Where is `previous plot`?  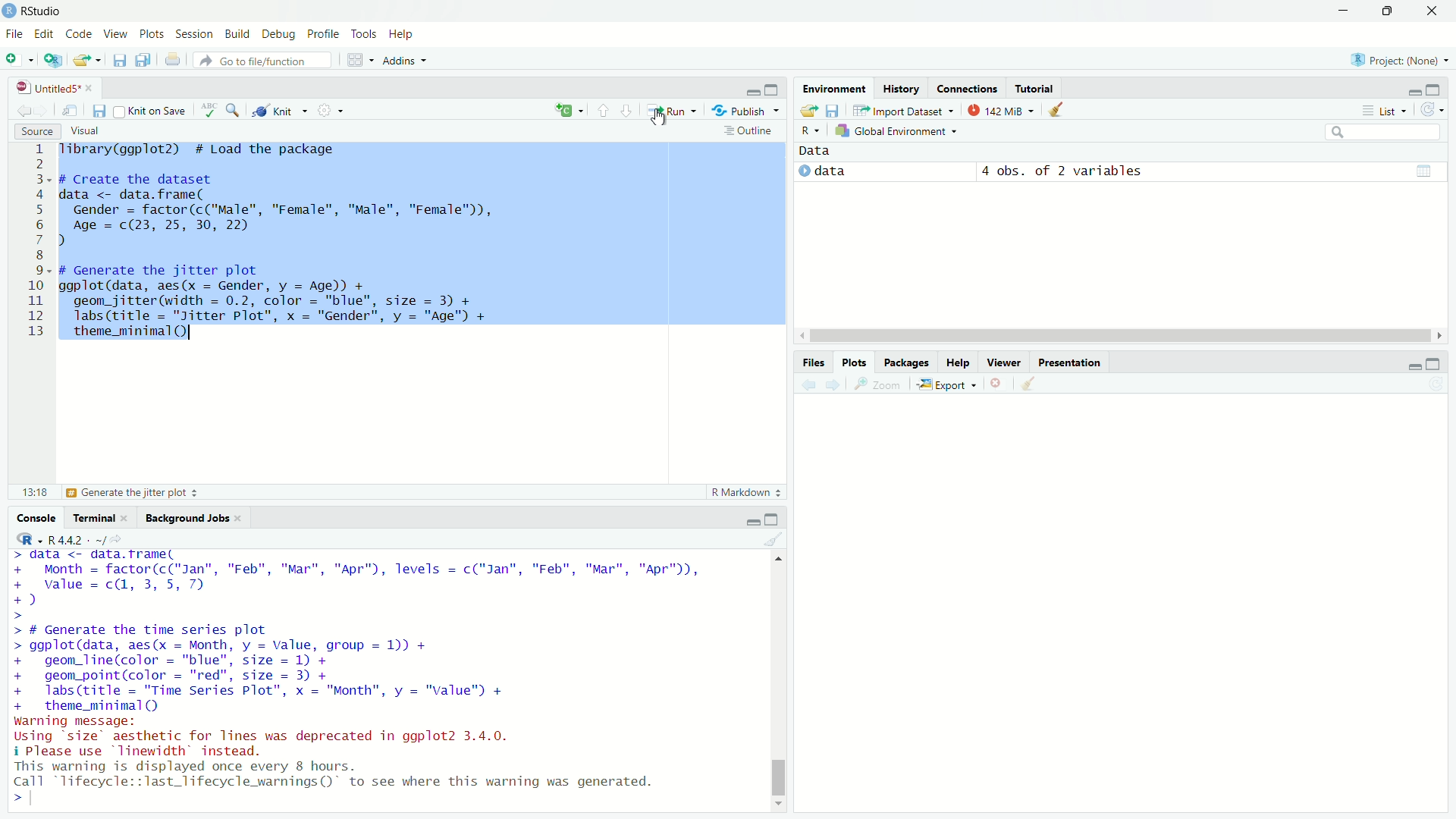
previous plot is located at coordinates (807, 384).